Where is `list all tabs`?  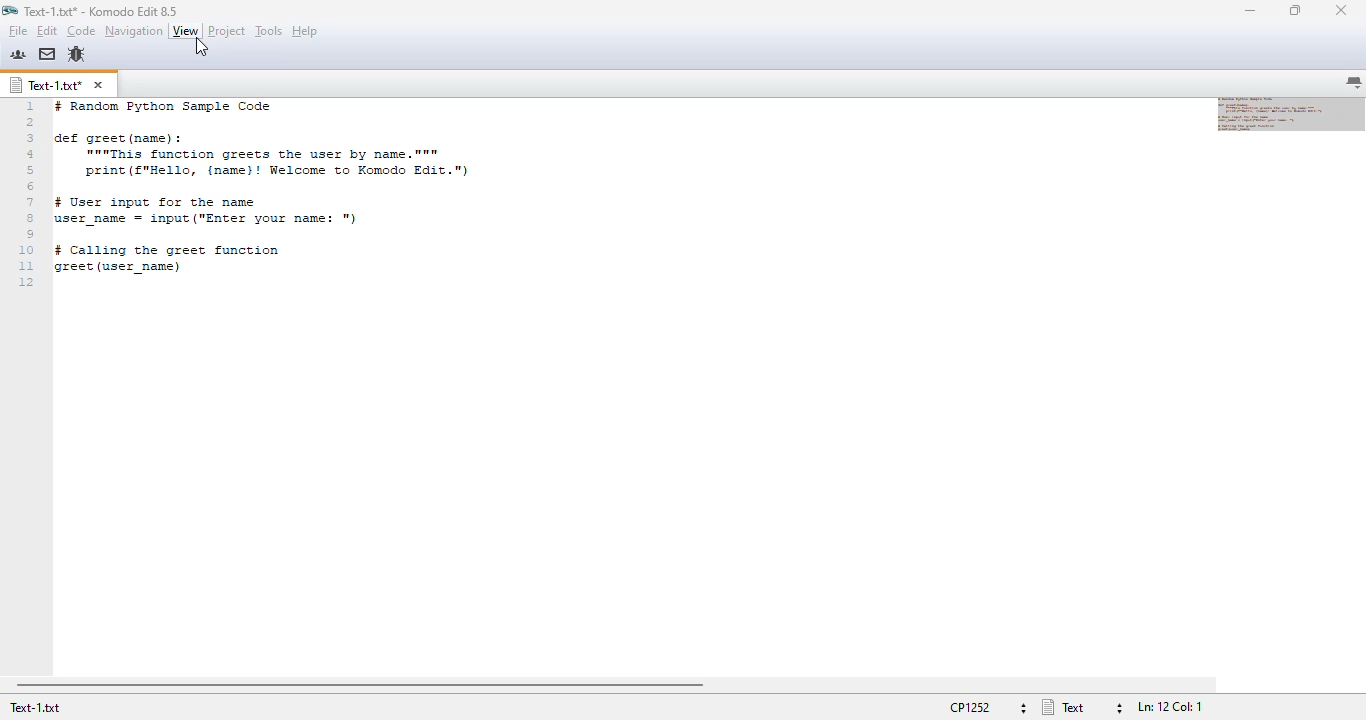
list all tabs is located at coordinates (1354, 83).